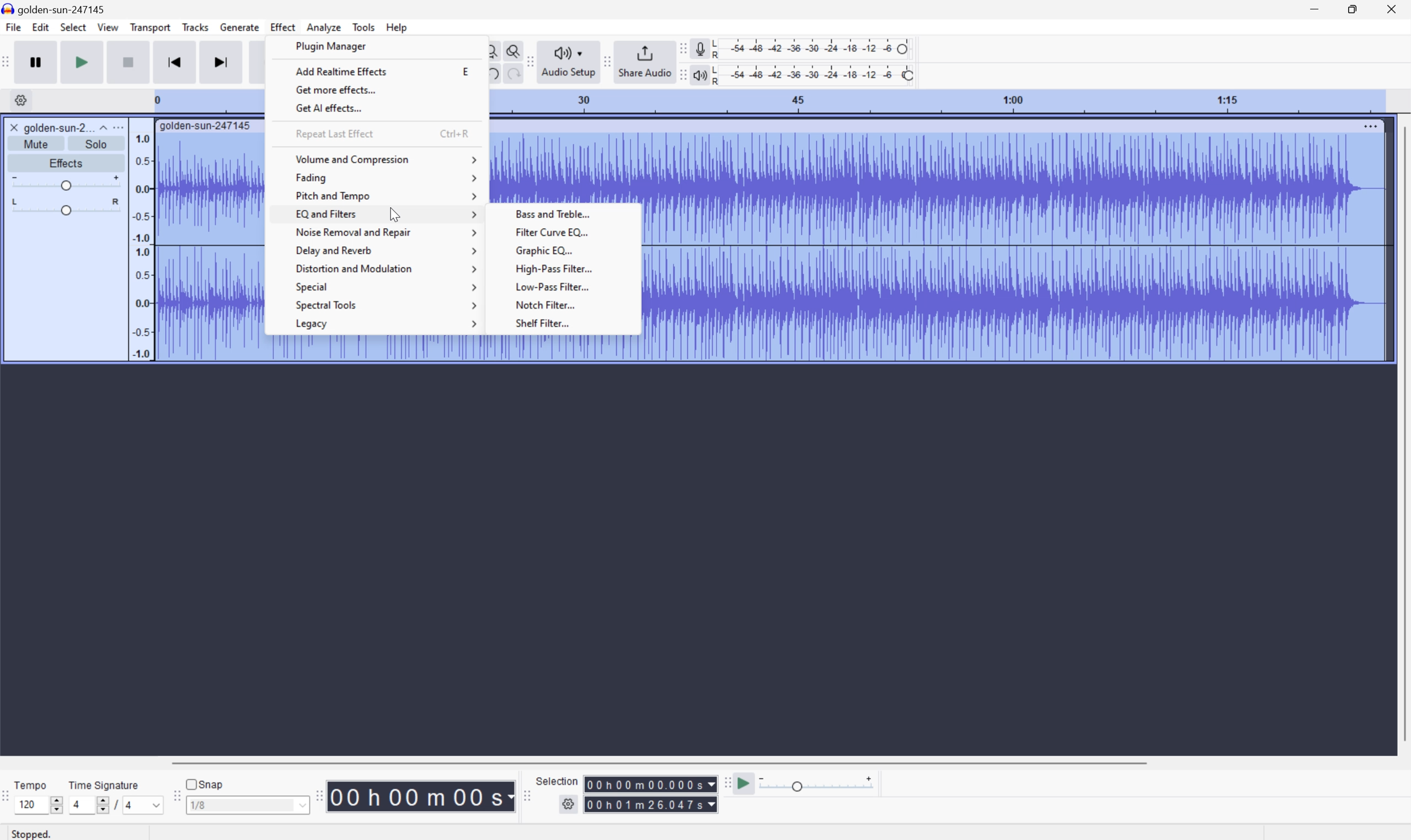 This screenshot has height=840, width=1411. Describe the element at coordinates (65, 181) in the screenshot. I see `Slider` at that location.